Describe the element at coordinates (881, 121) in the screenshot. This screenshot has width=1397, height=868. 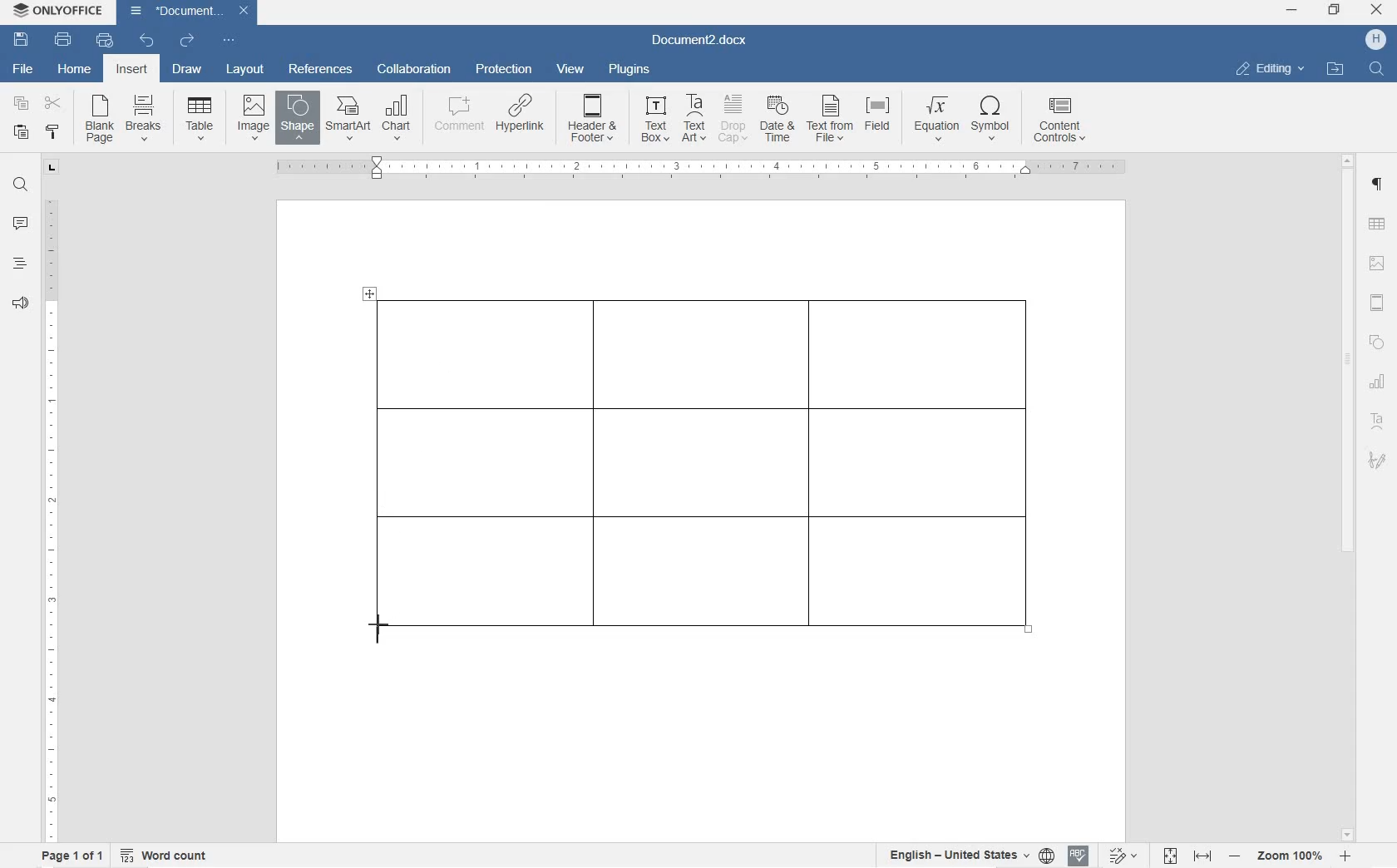
I see `FIELD` at that location.